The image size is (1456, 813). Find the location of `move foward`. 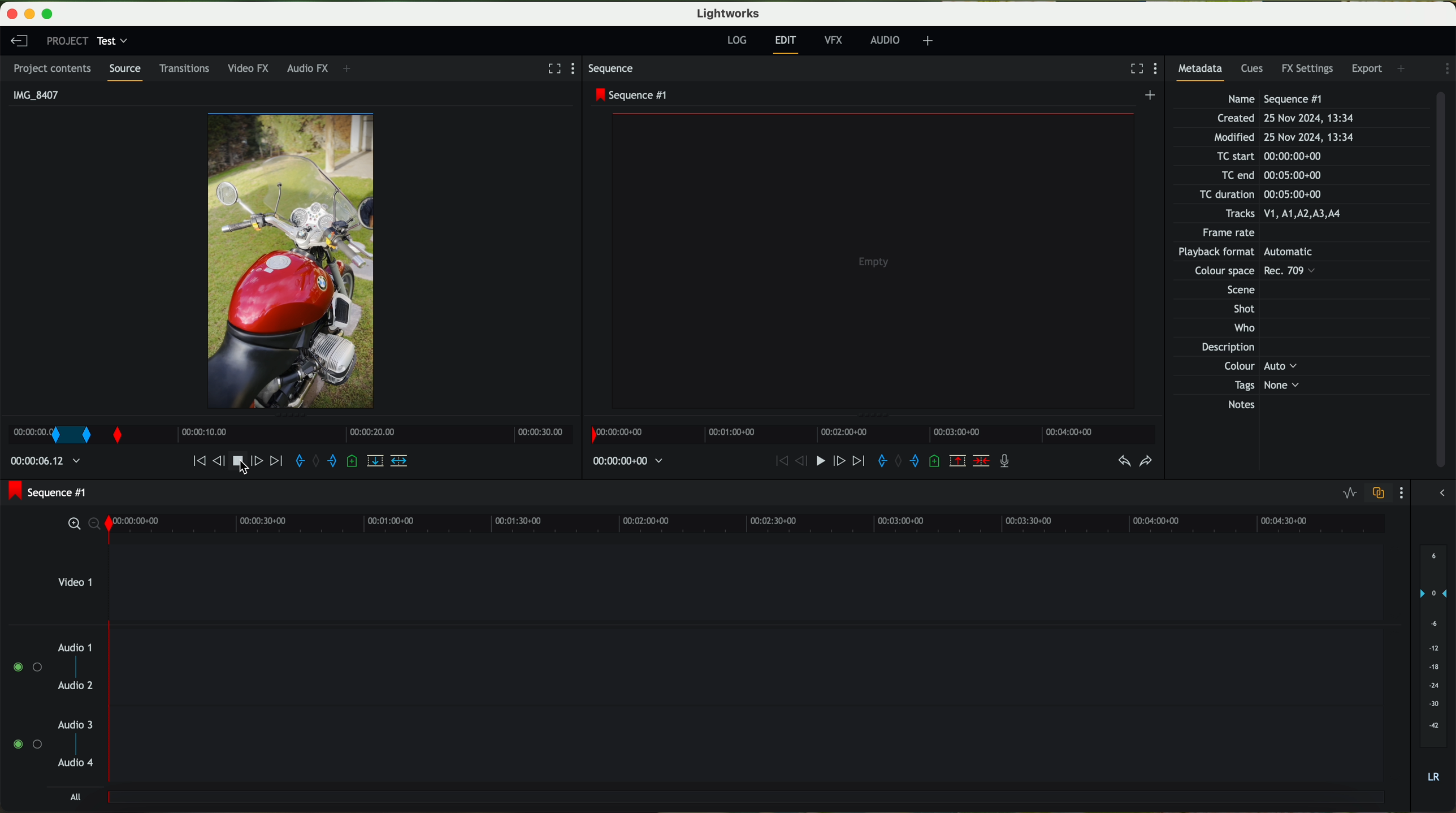

move foward is located at coordinates (276, 461).